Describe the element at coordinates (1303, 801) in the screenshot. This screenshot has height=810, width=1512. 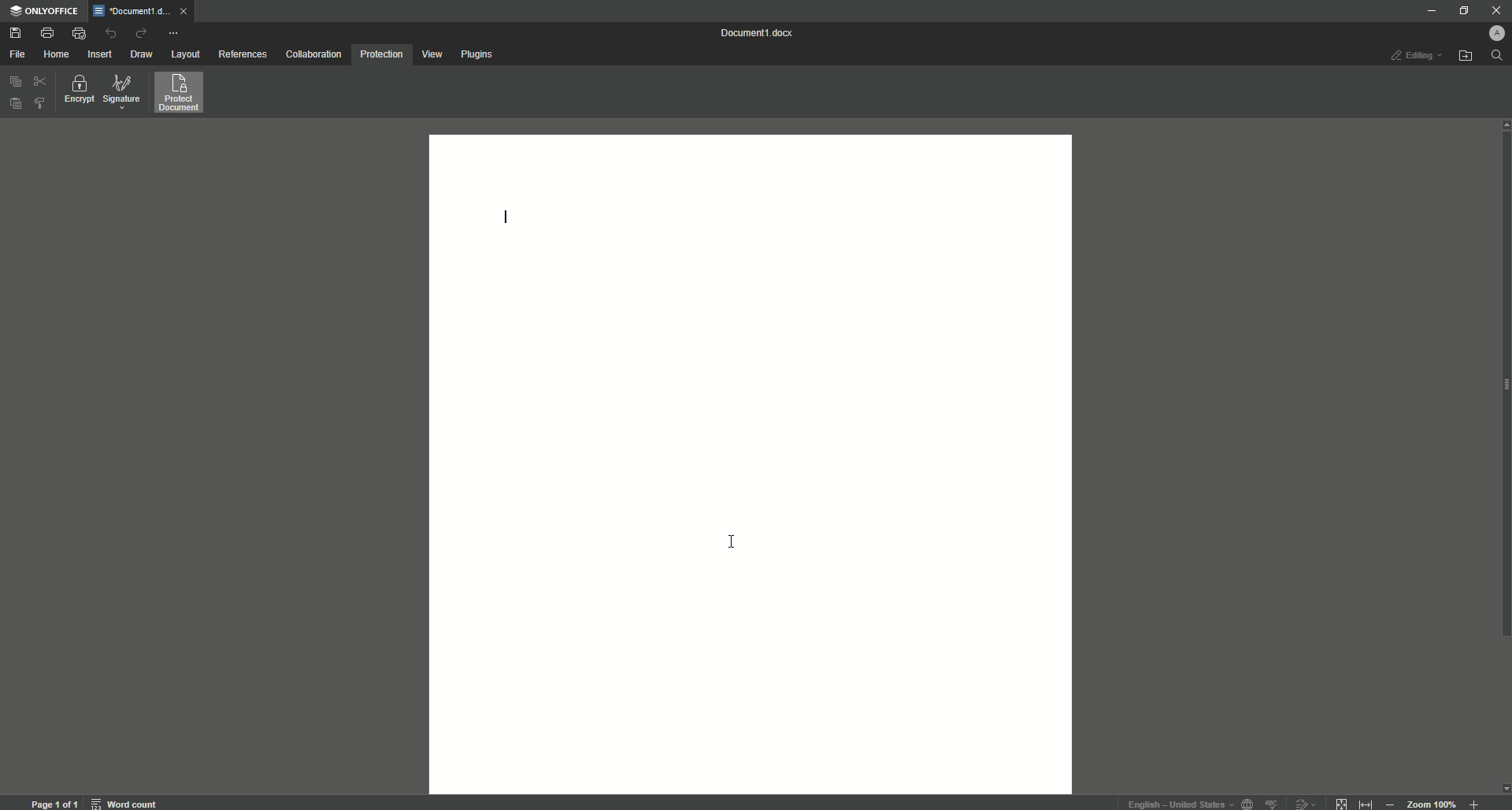
I see `track changes` at that location.